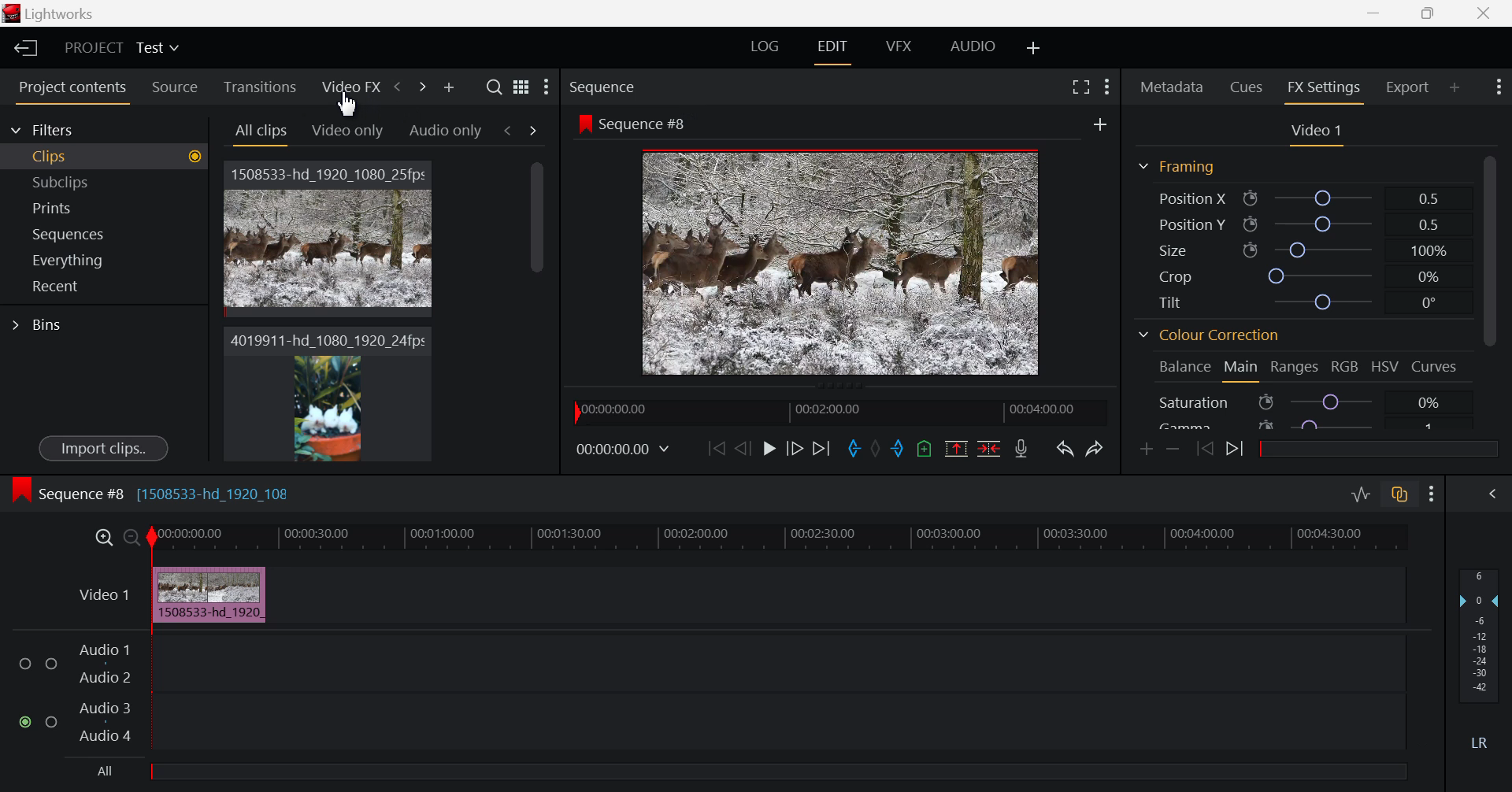 The image size is (1512, 792). Describe the element at coordinates (102, 538) in the screenshot. I see `Timeline Zoom In` at that location.